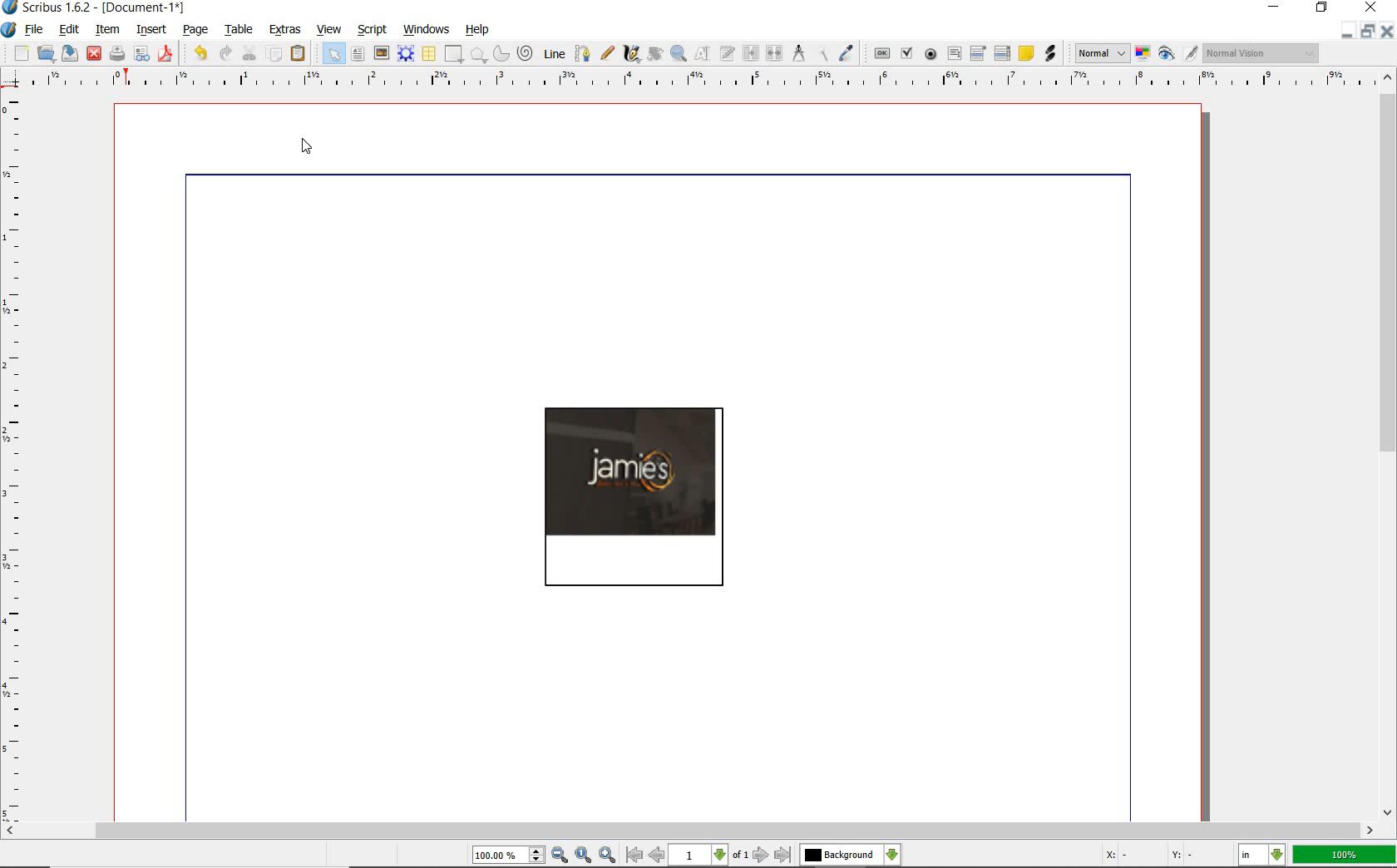 The image size is (1397, 868). Describe the element at coordinates (753, 52) in the screenshot. I see `link text frames` at that location.